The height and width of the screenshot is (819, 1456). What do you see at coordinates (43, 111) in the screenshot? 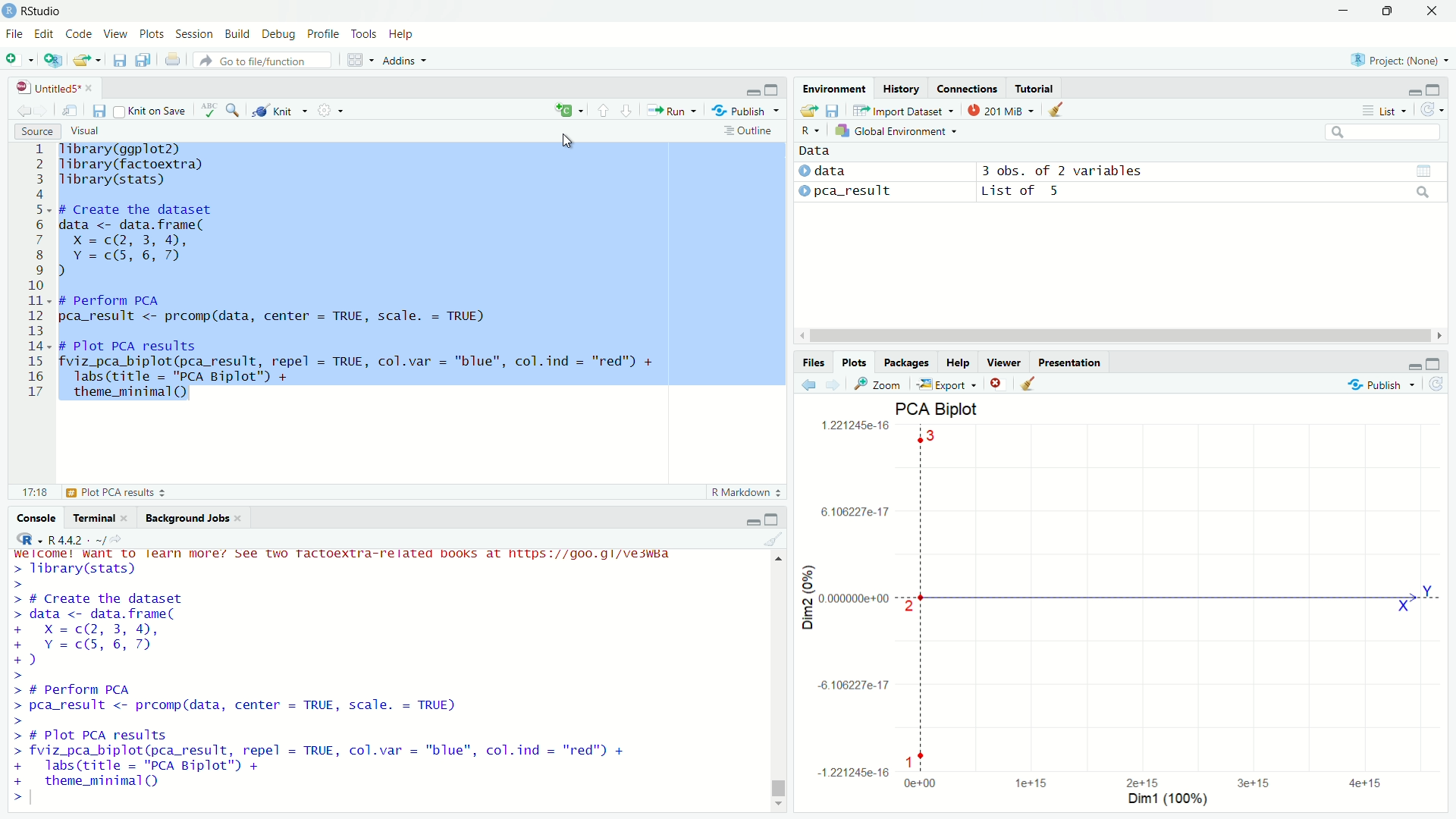
I see `go forward to the next source` at bounding box center [43, 111].